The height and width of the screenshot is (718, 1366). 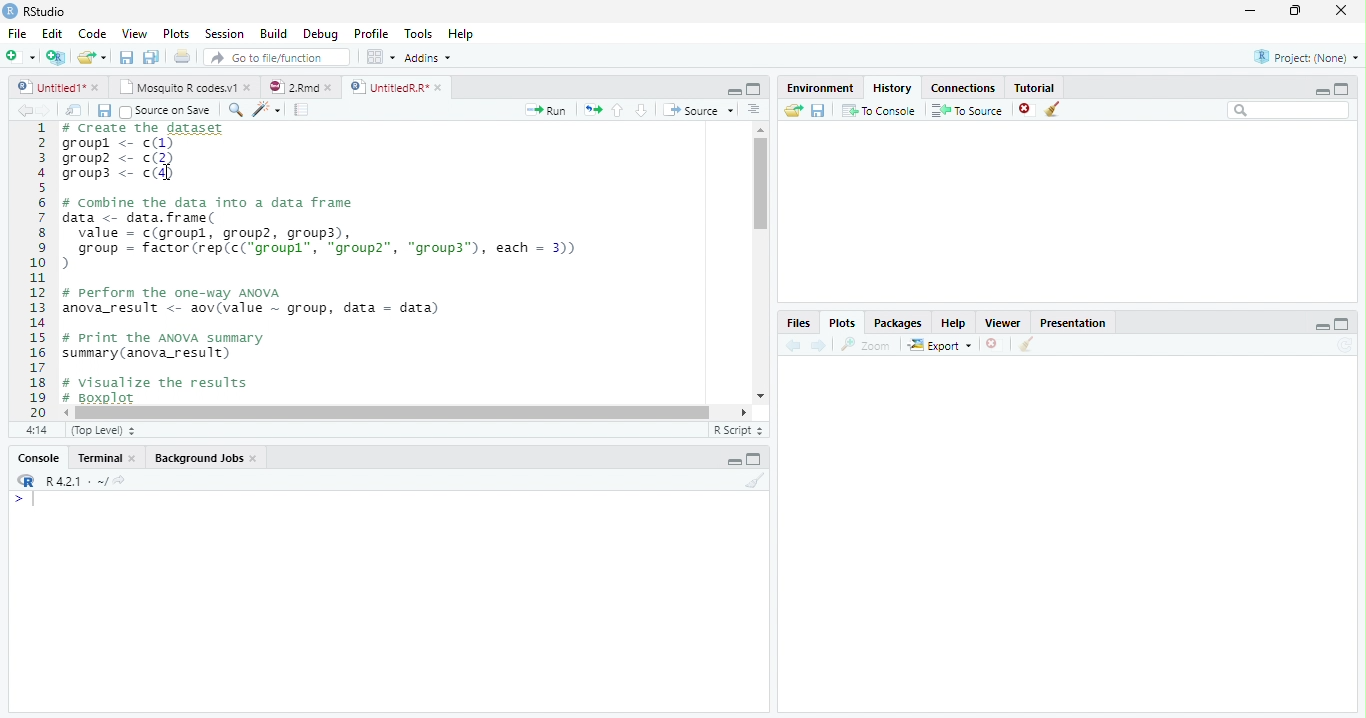 What do you see at coordinates (993, 345) in the screenshot?
I see `Delete` at bounding box center [993, 345].